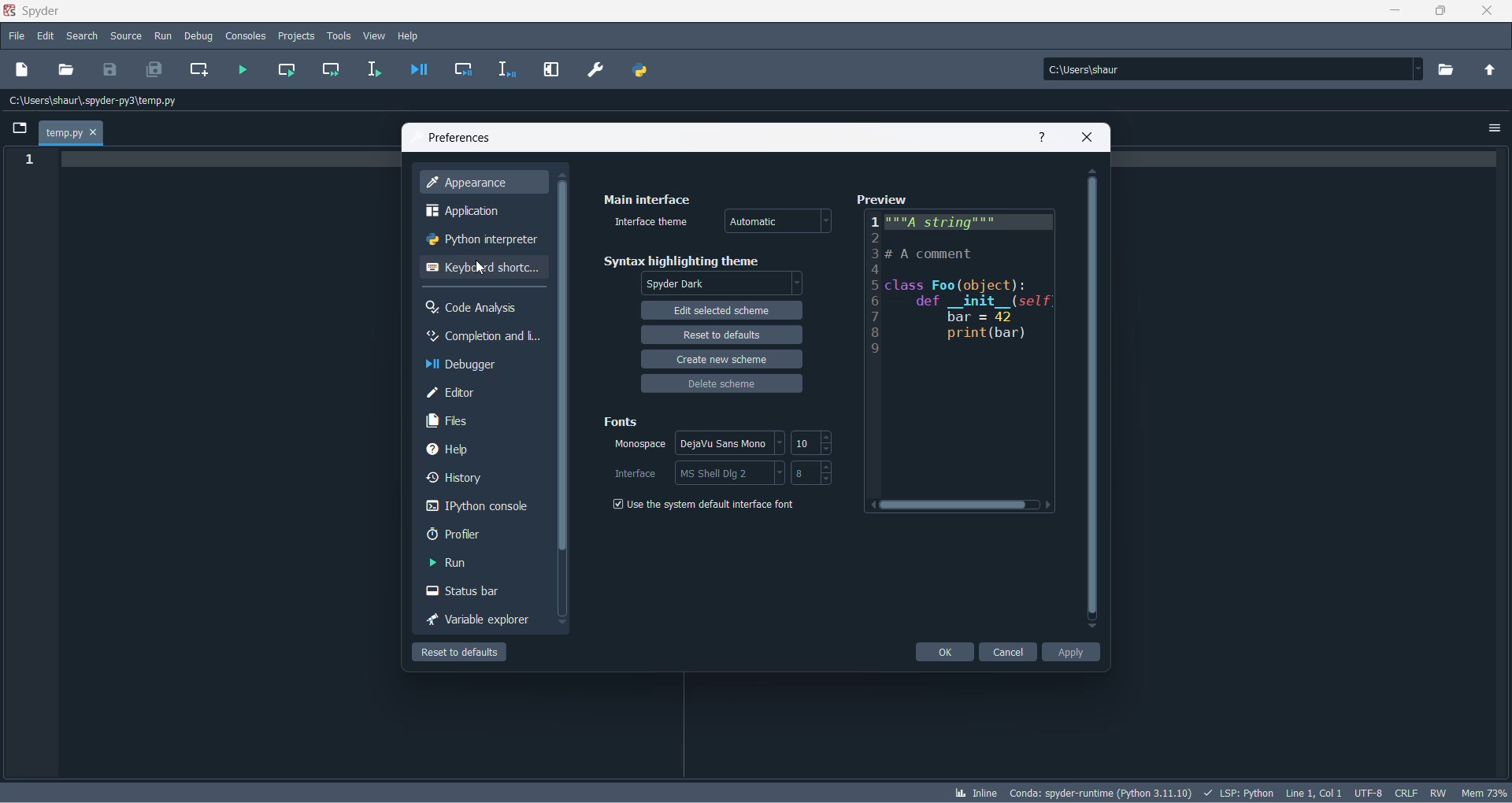  What do you see at coordinates (722, 361) in the screenshot?
I see `create new scheme` at bounding box center [722, 361].